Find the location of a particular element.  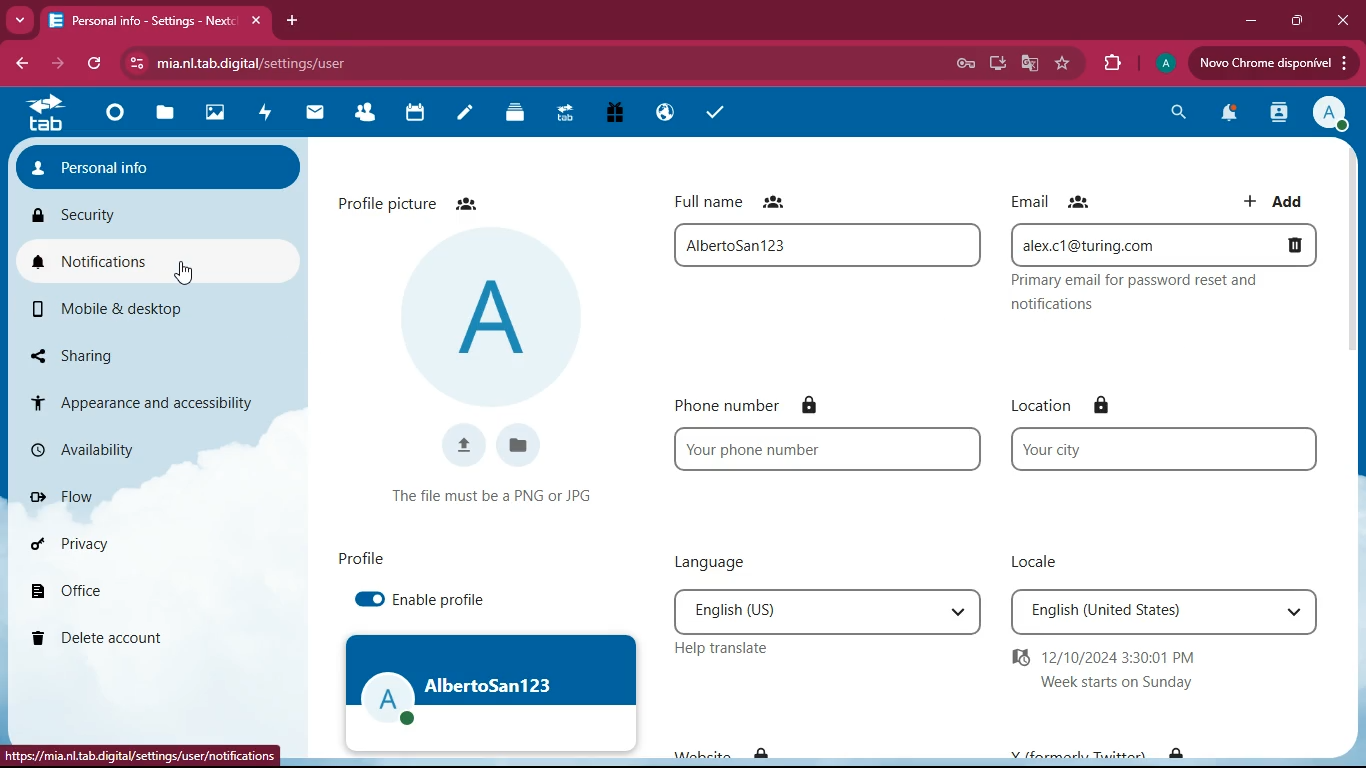

description is located at coordinates (1161, 295).